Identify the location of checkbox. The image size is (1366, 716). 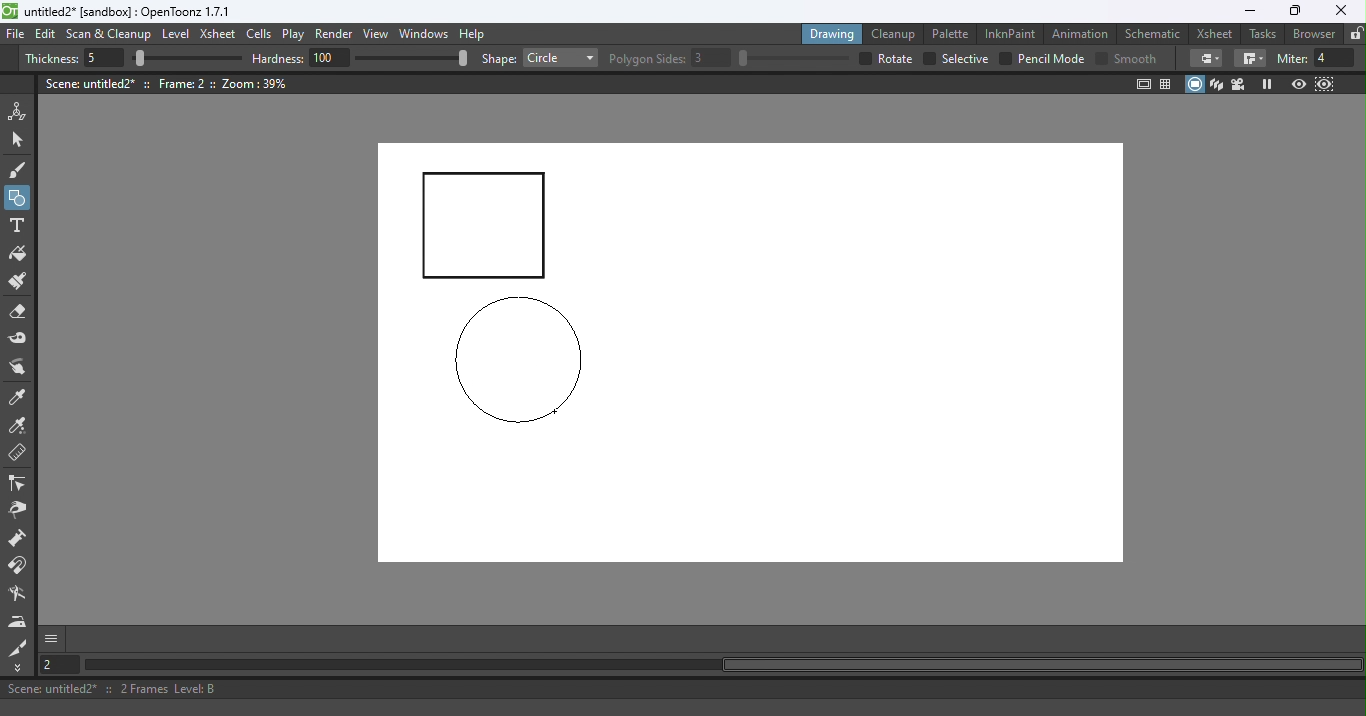
(928, 59).